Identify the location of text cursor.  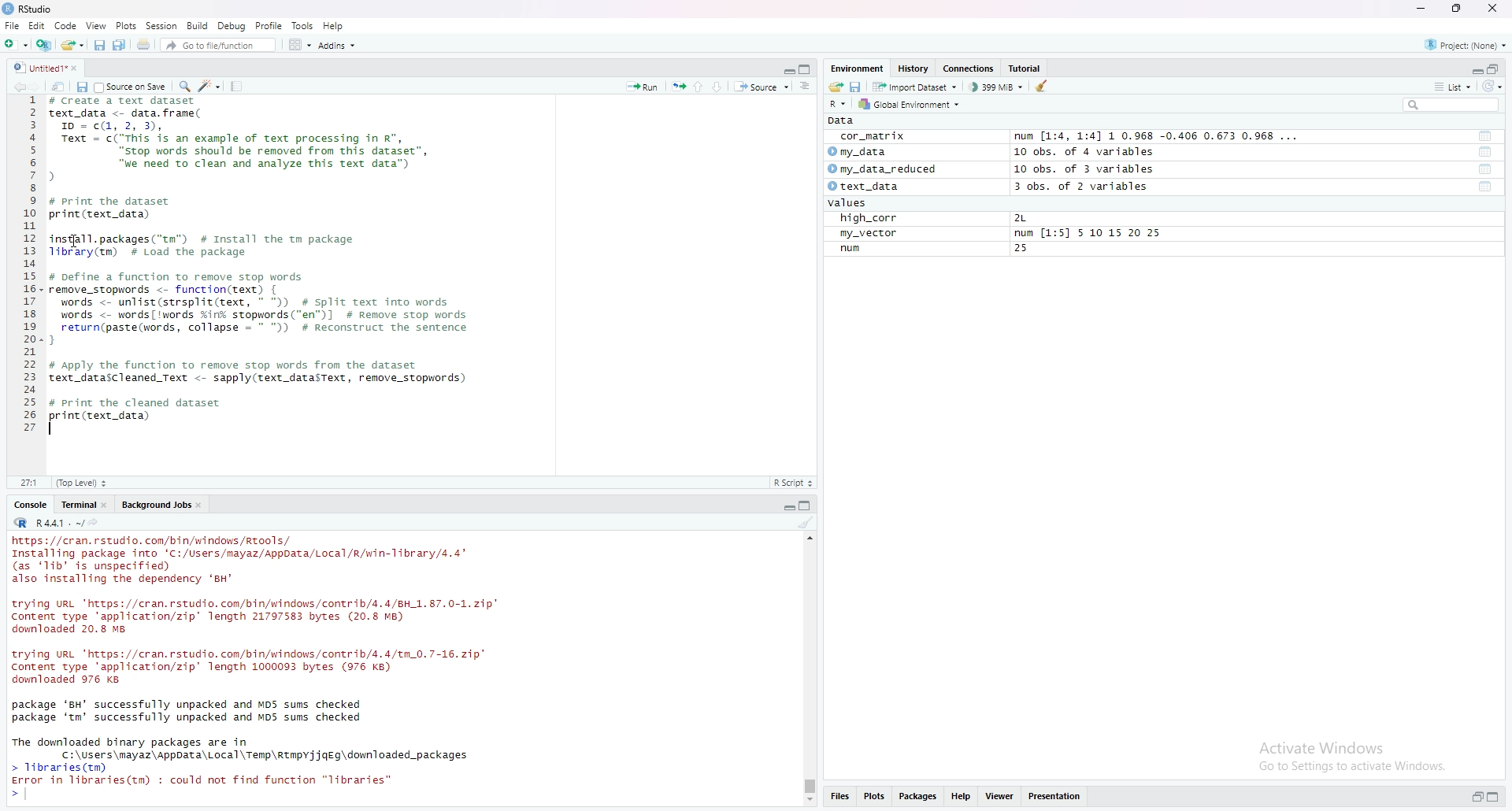
(25, 794).